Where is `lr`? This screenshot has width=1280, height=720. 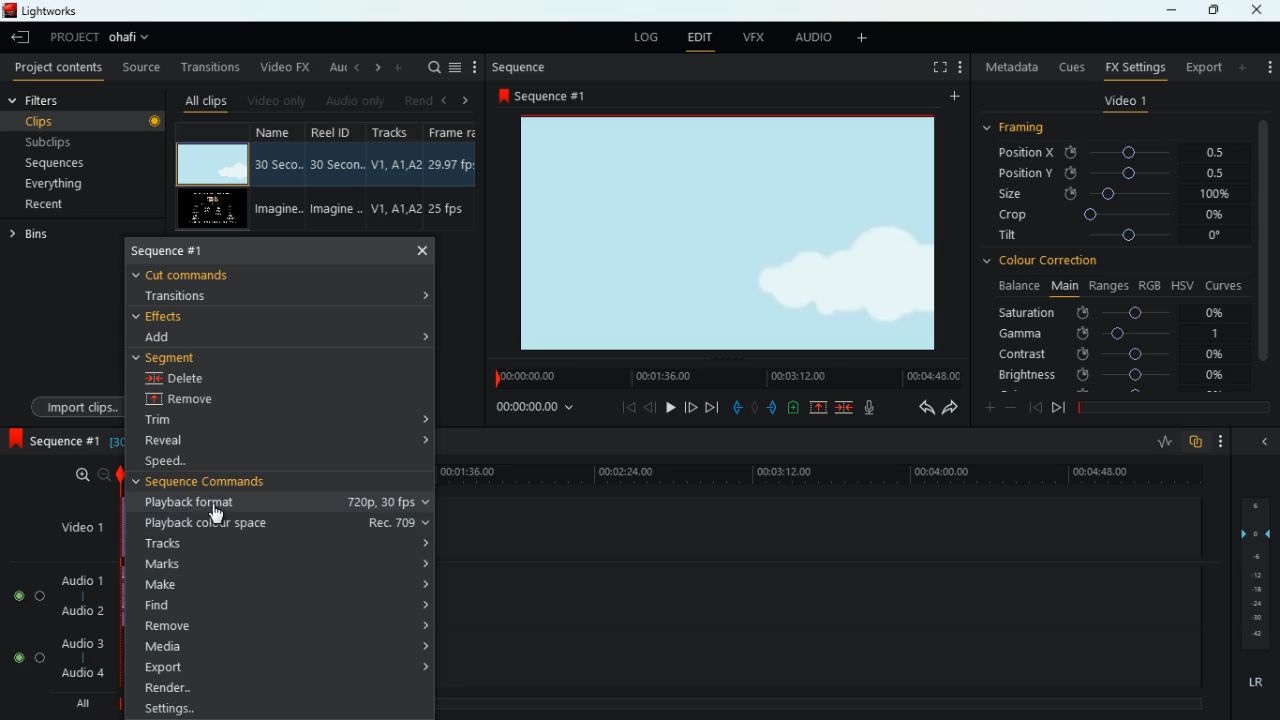 lr is located at coordinates (1253, 684).